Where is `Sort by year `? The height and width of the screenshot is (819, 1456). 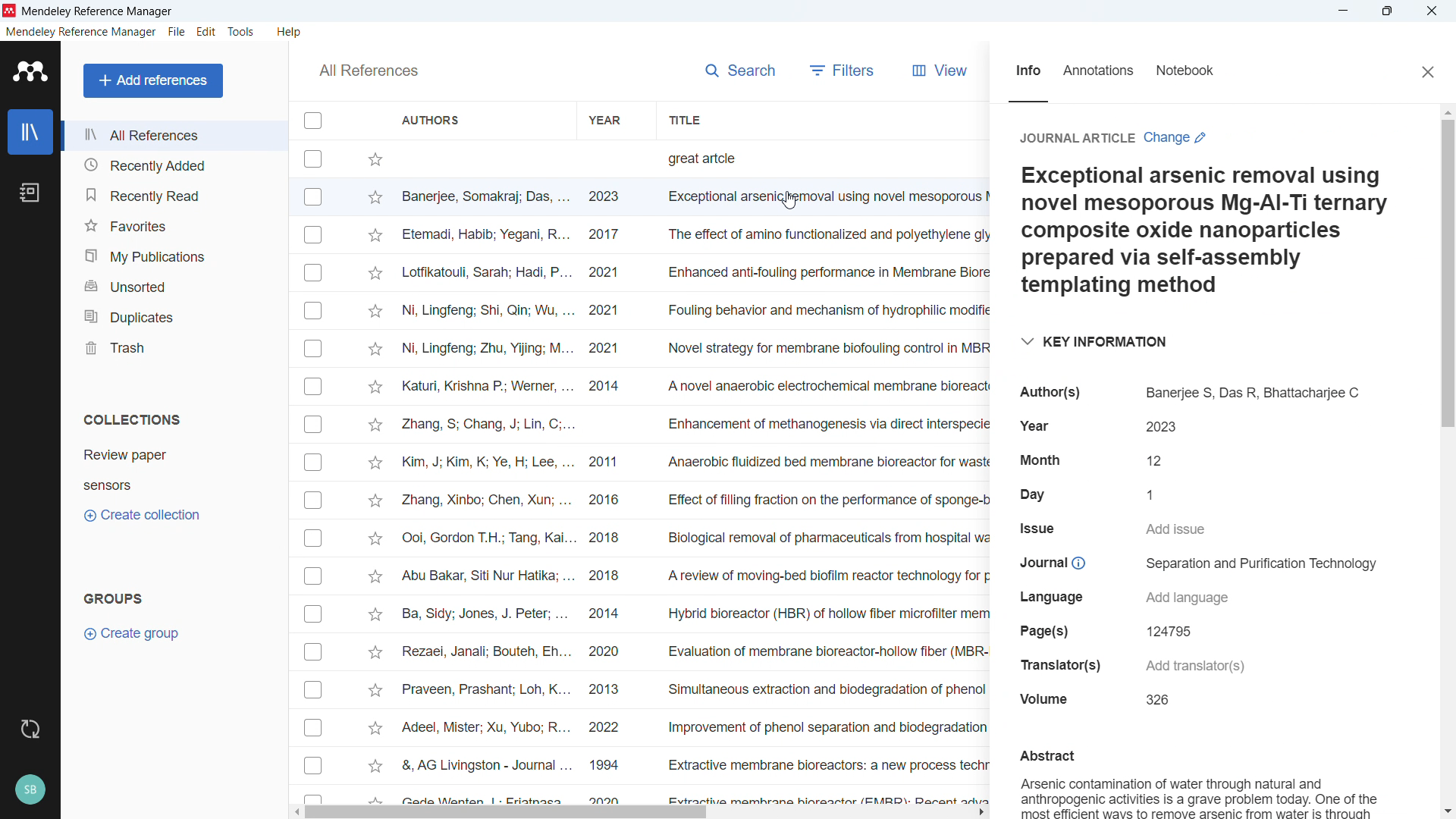 Sort by year  is located at coordinates (604, 119).